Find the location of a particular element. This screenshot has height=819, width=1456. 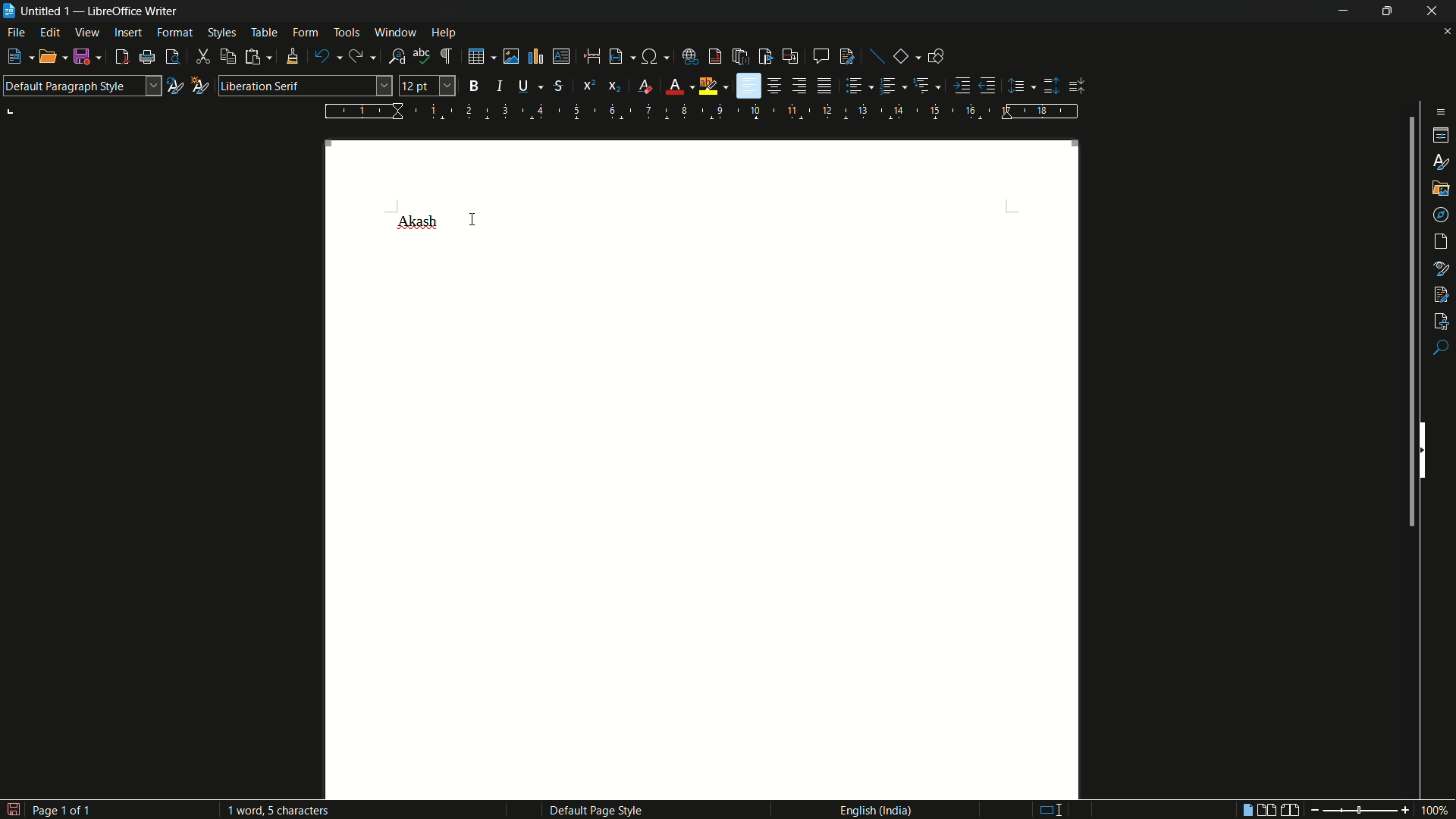

maximize or restore is located at coordinates (1387, 11).